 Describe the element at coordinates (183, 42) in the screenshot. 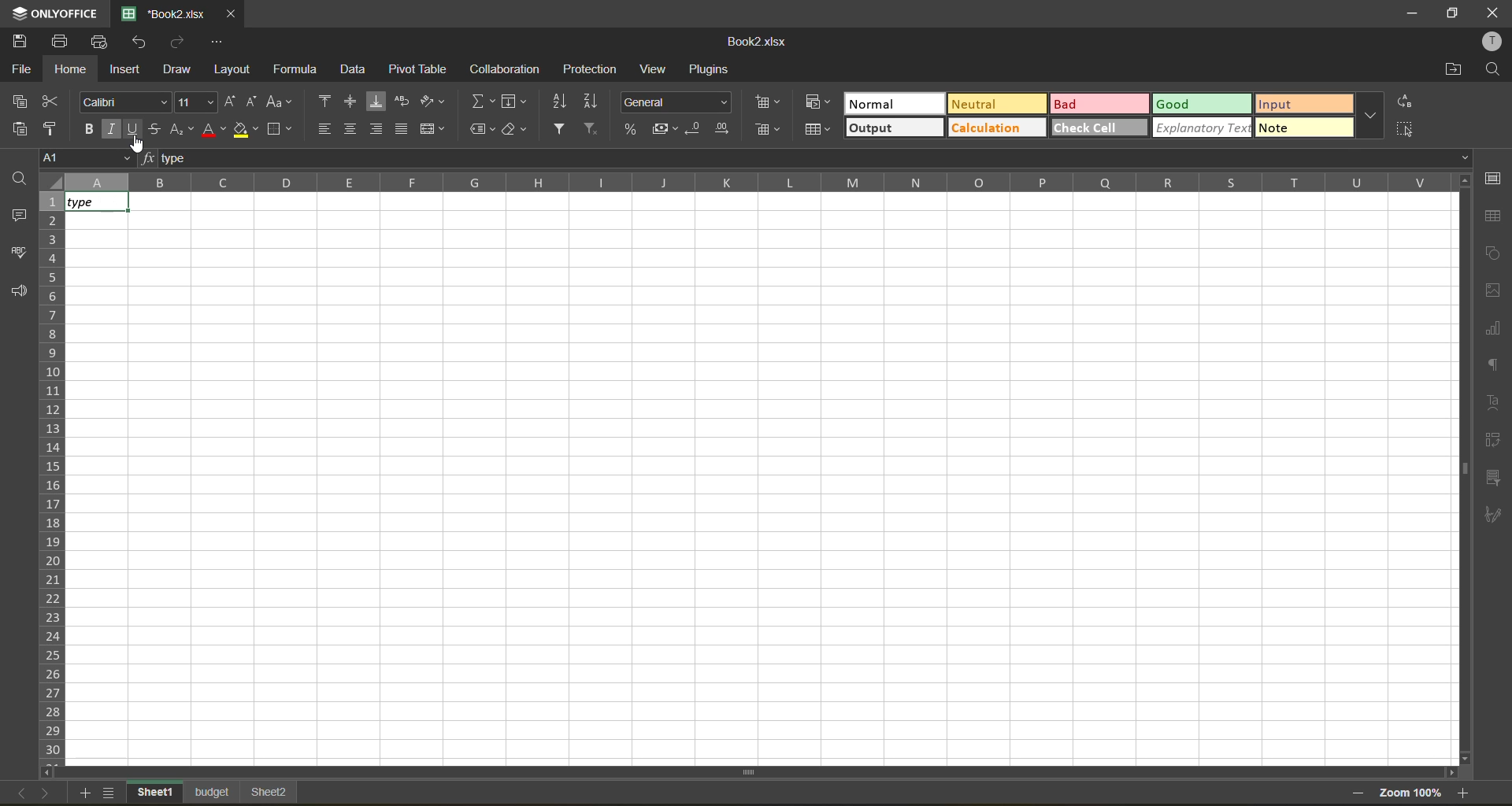

I see `redo` at that location.